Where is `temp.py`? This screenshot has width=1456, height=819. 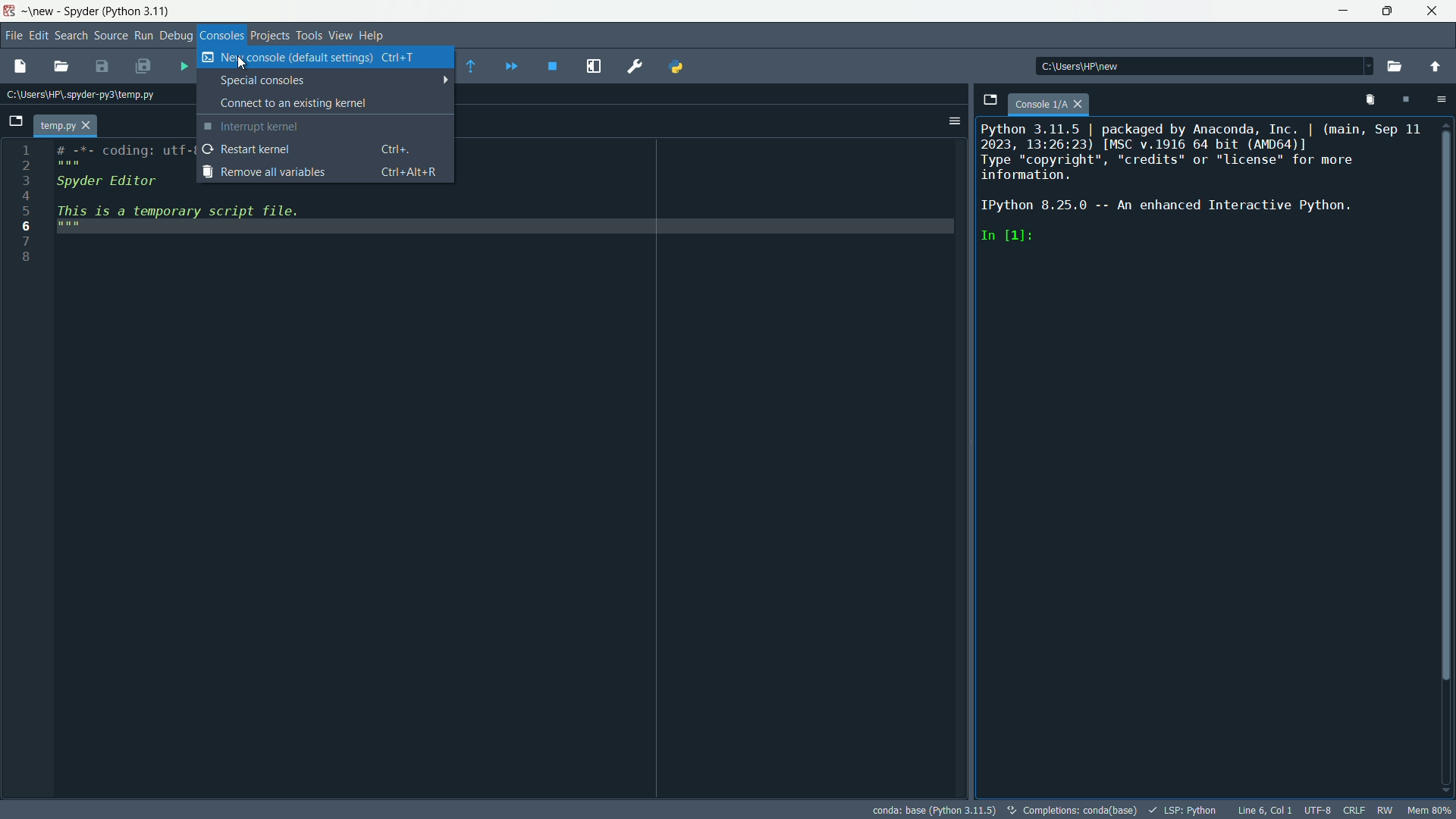 temp.py is located at coordinates (54, 127).